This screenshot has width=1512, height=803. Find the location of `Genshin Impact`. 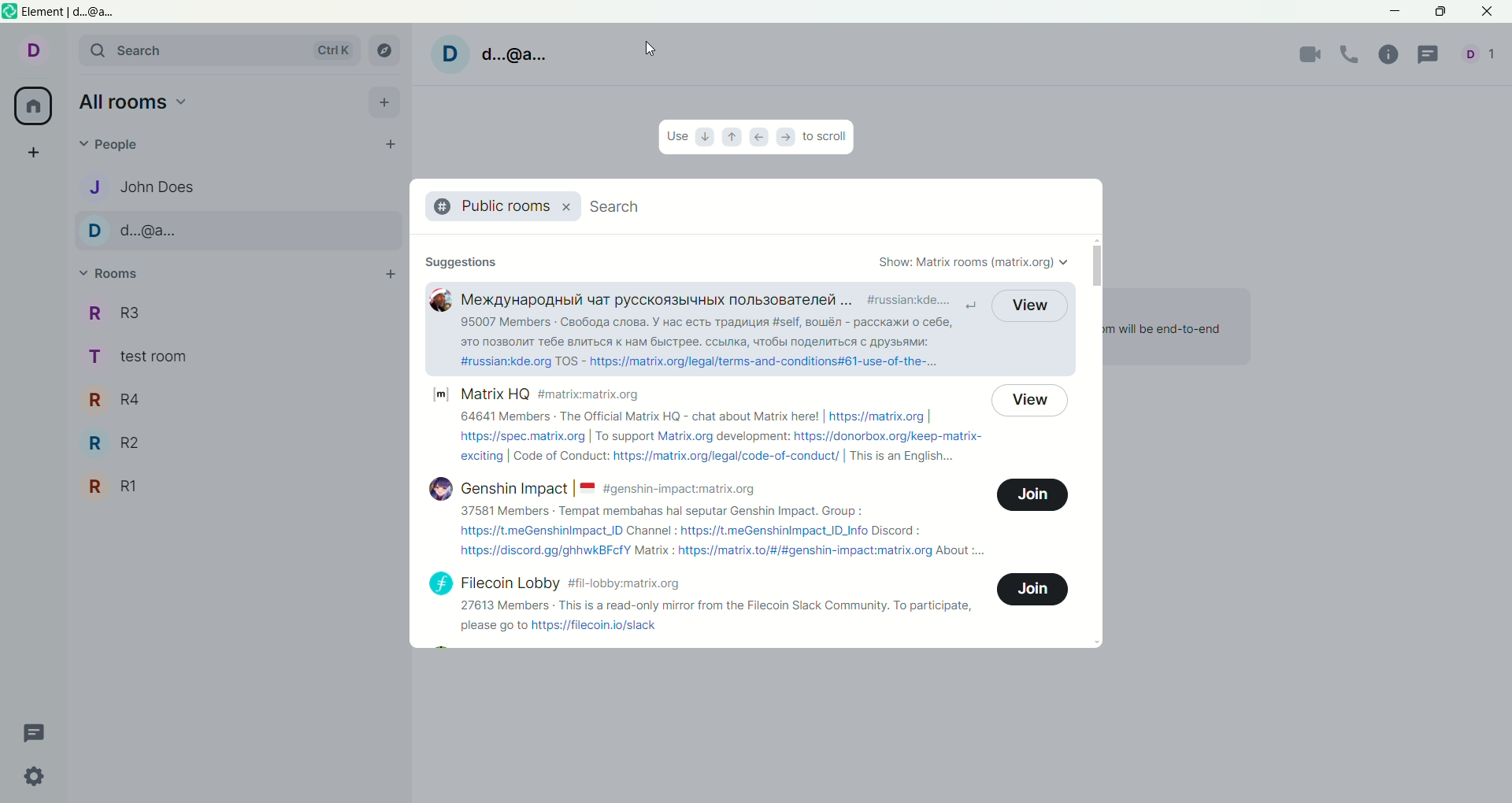

Genshin Impact is located at coordinates (515, 488).